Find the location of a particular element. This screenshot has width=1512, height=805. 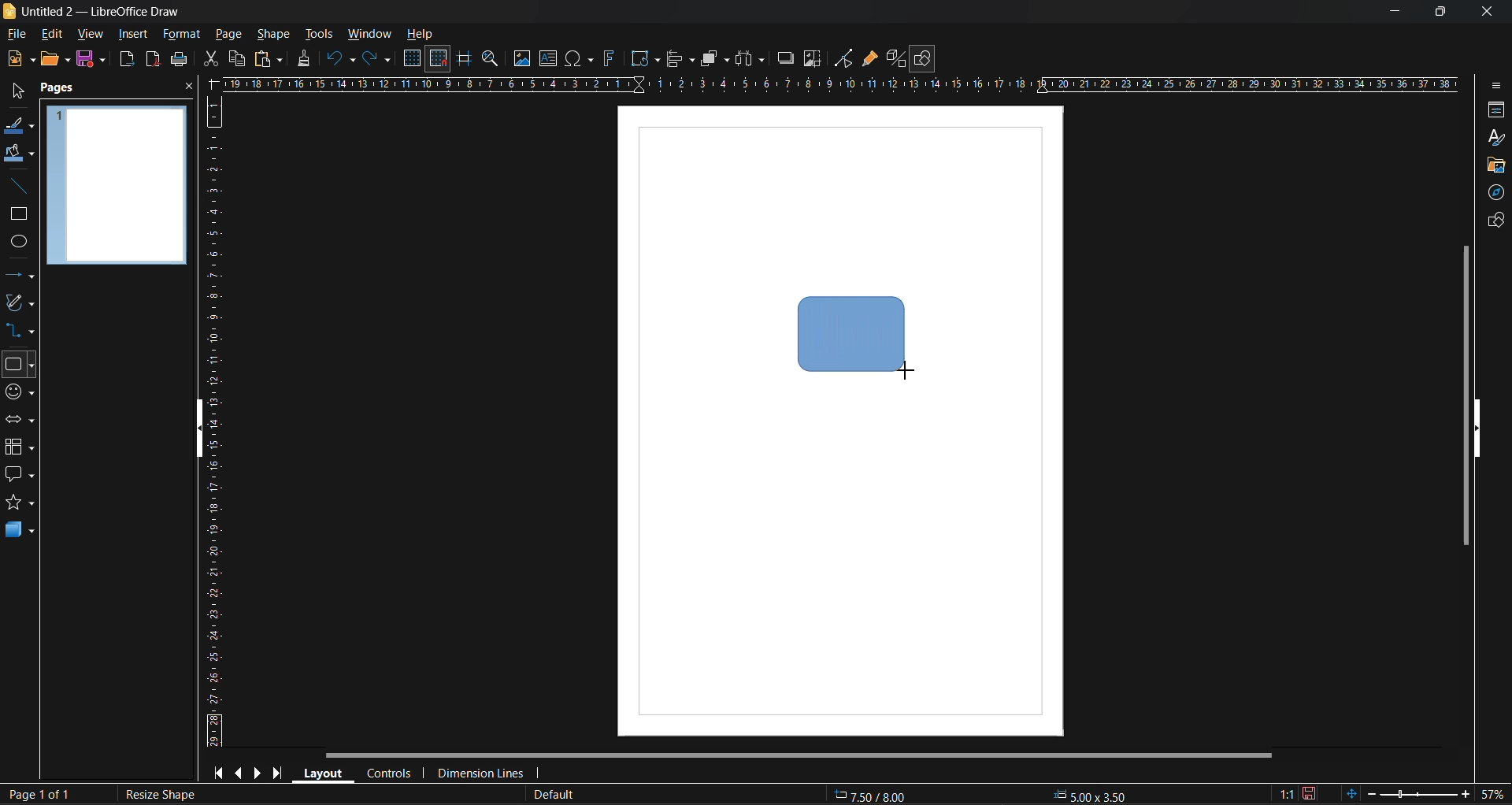

save is located at coordinates (89, 58).